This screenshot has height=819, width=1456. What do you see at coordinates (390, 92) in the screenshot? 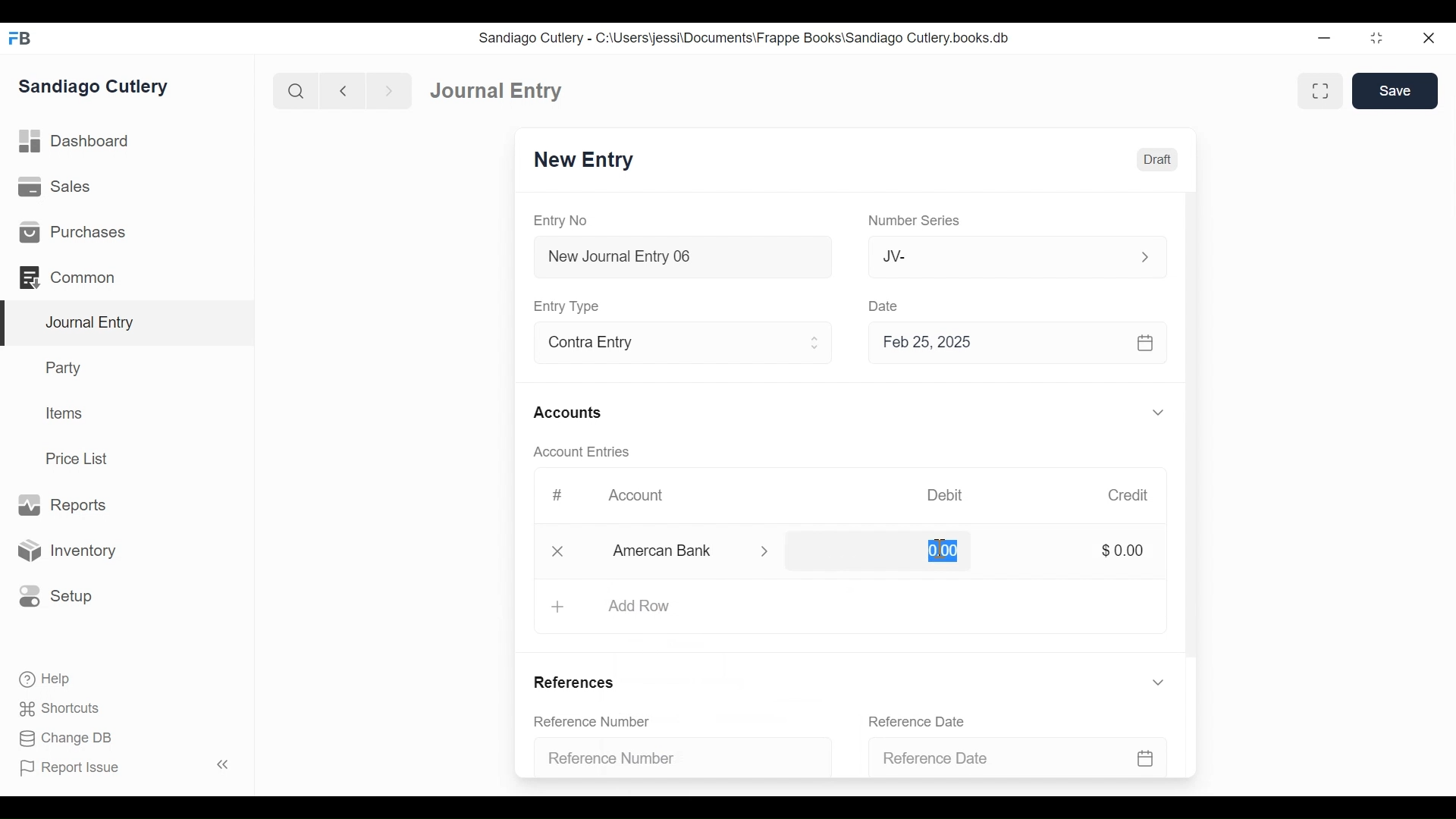
I see `Navigate Forward` at bounding box center [390, 92].